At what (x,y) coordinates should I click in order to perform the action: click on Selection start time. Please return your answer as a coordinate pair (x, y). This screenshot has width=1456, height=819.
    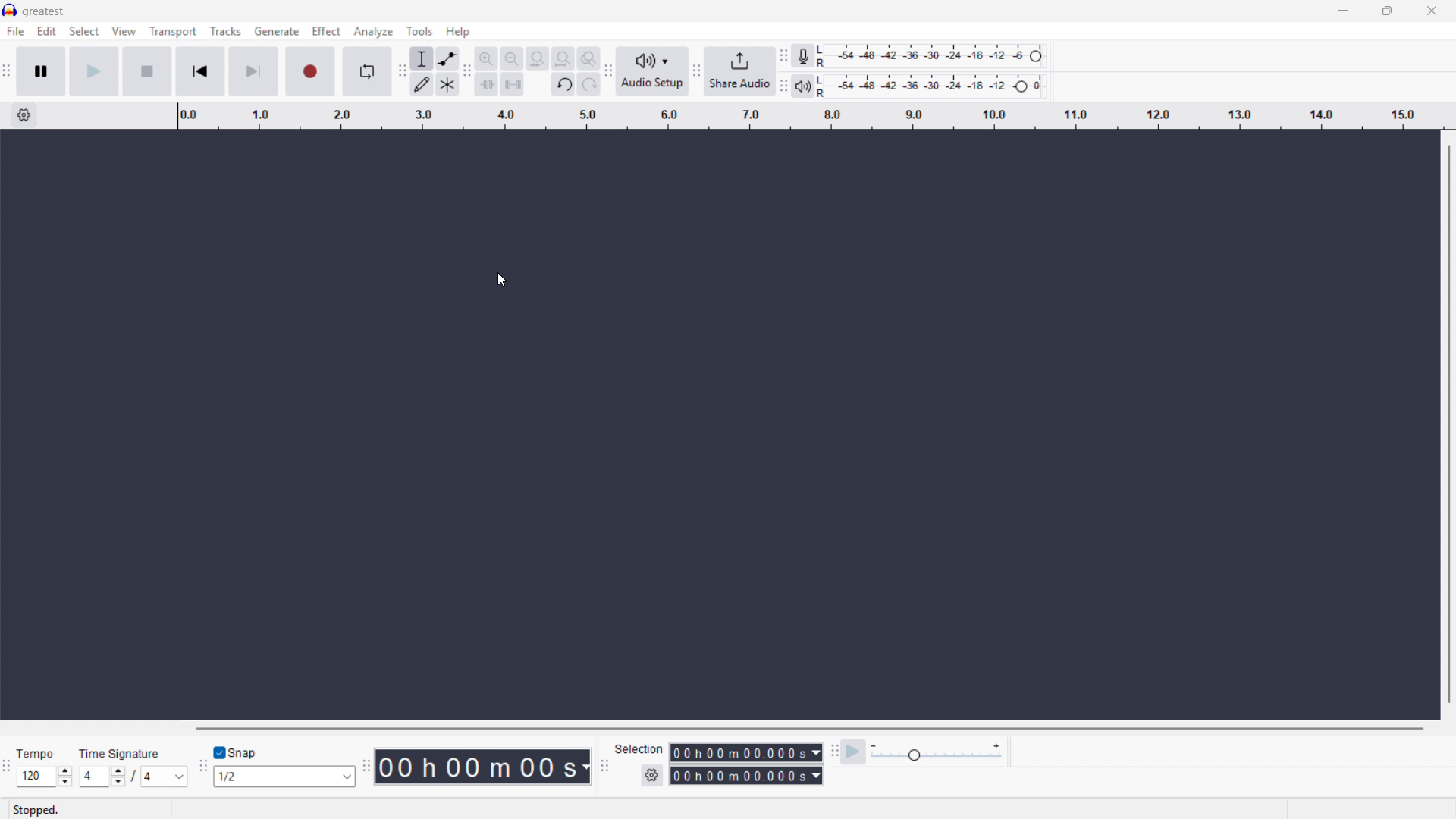
    Looking at the image, I should click on (745, 753).